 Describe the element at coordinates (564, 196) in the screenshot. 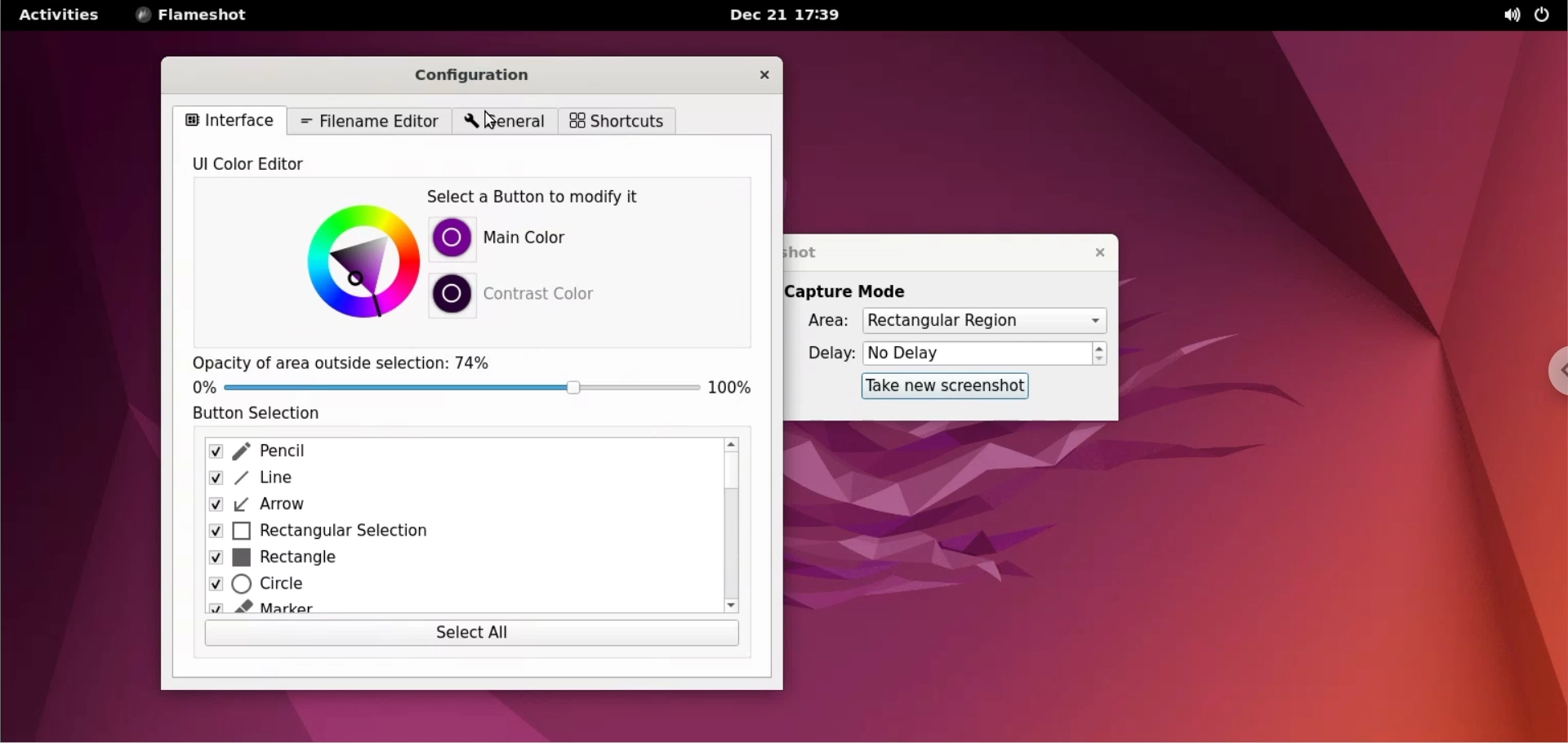

I see `select a button to modify it` at that location.